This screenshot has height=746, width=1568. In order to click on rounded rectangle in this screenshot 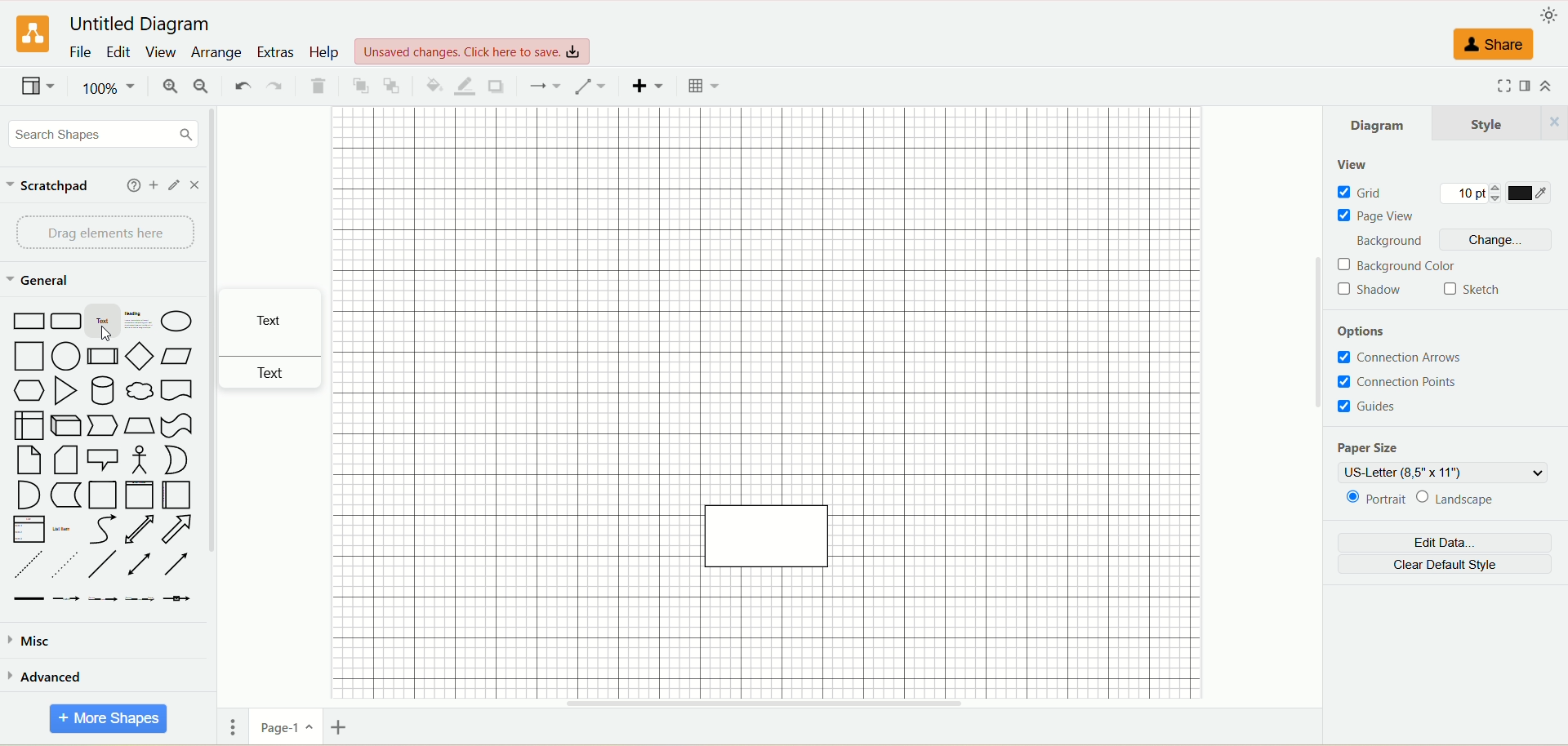, I will do `click(63, 321)`.